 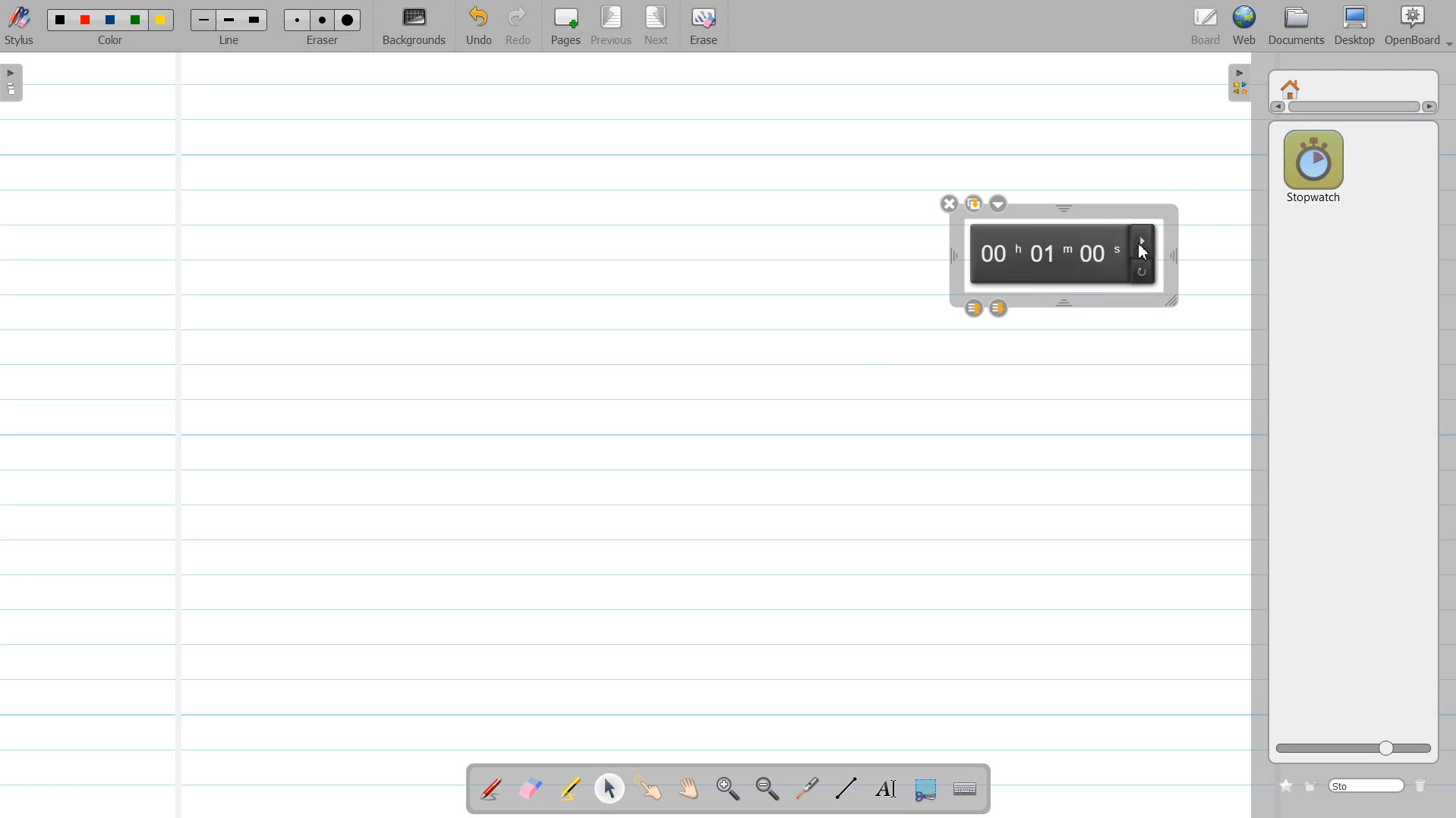 What do you see at coordinates (1353, 109) in the screenshot?
I see `Vertical scroll bar` at bounding box center [1353, 109].